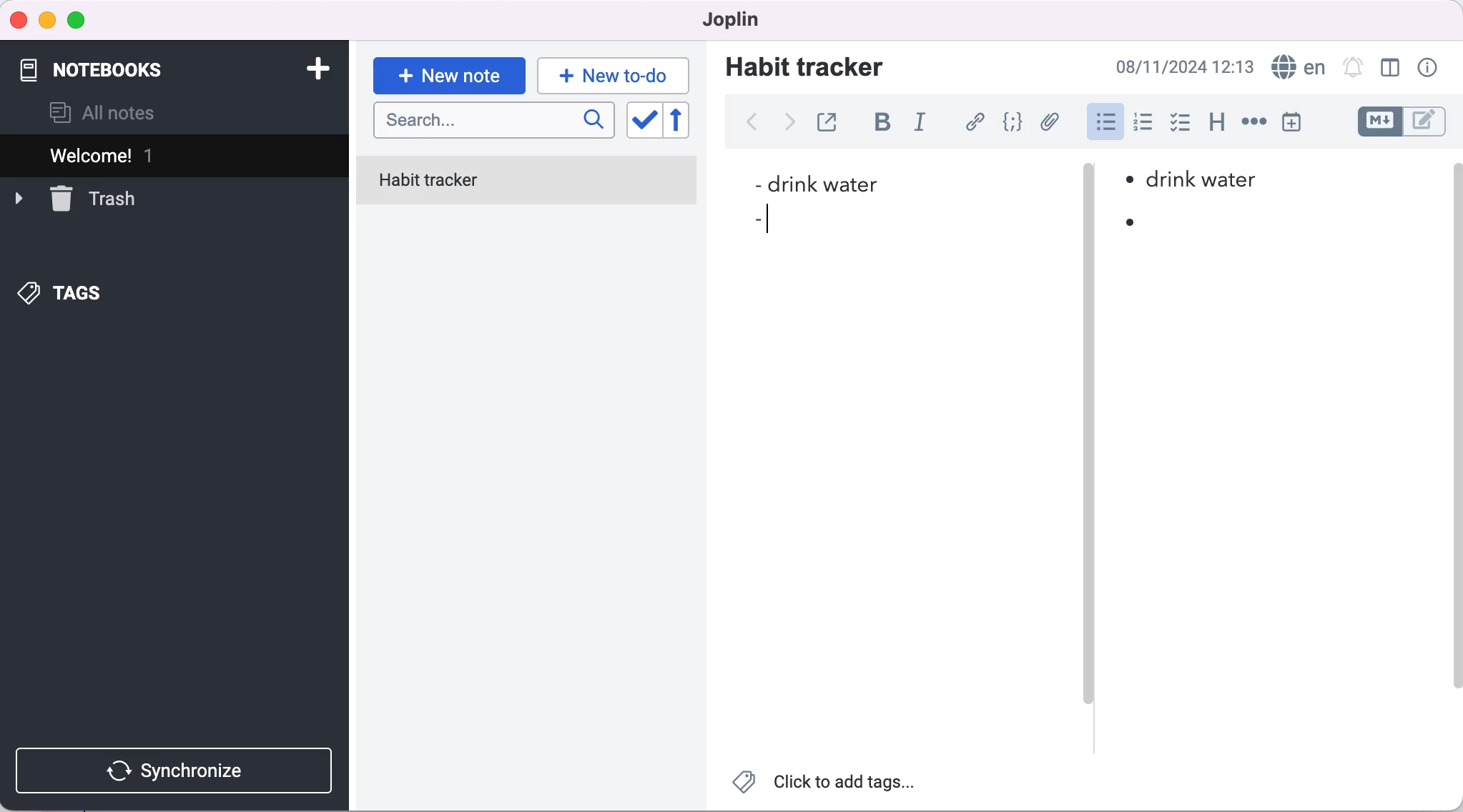 Image resolution: width=1463 pixels, height=812 pixels. Describe the element at coordinates (1296, 67) in the screenshot. I see `language` at that location.